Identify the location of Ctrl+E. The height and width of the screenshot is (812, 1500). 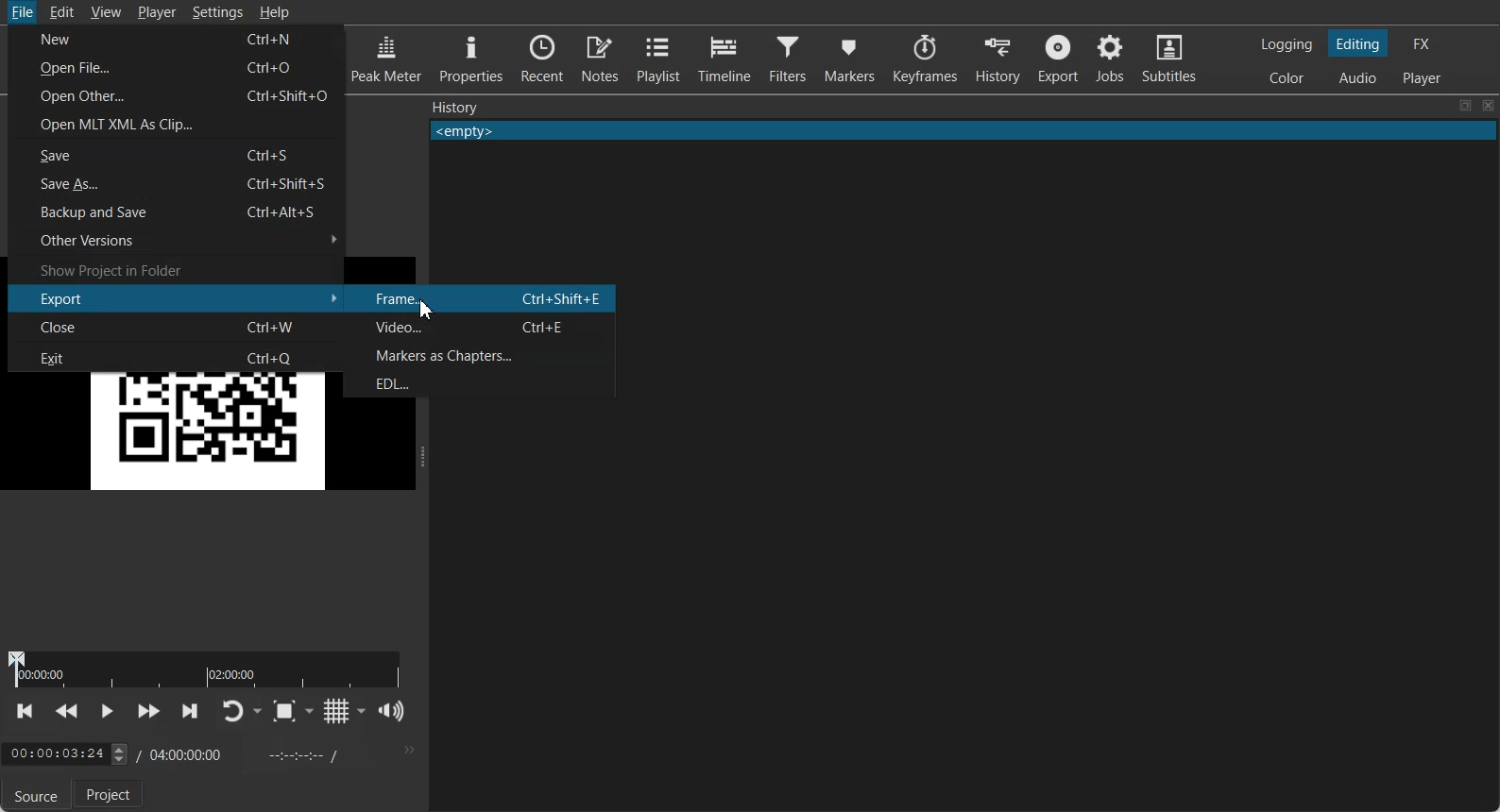
(547, 326).